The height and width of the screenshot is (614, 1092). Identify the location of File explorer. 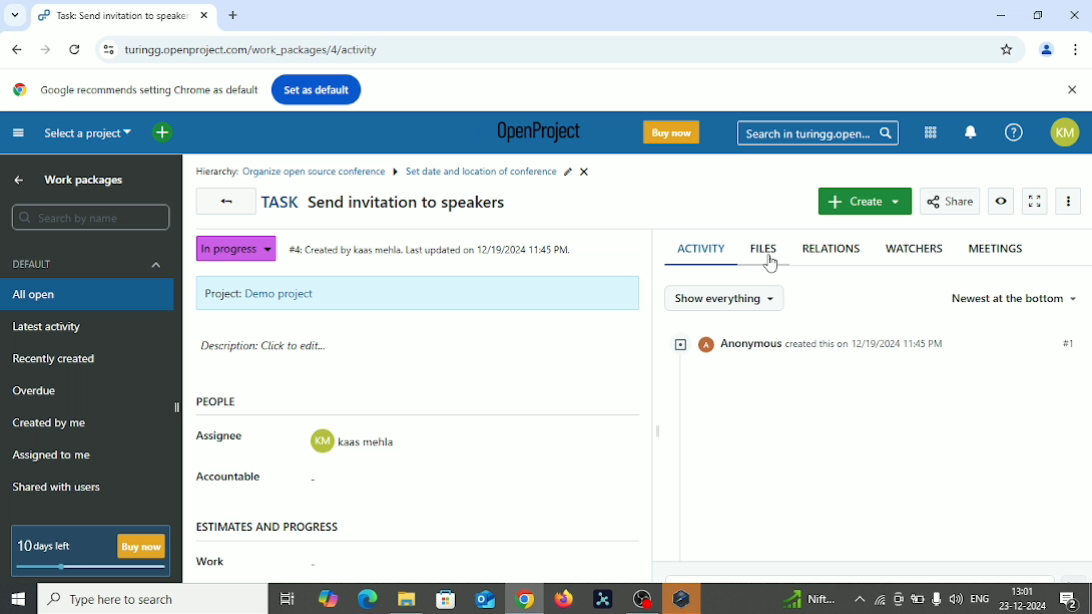
(405, 601).